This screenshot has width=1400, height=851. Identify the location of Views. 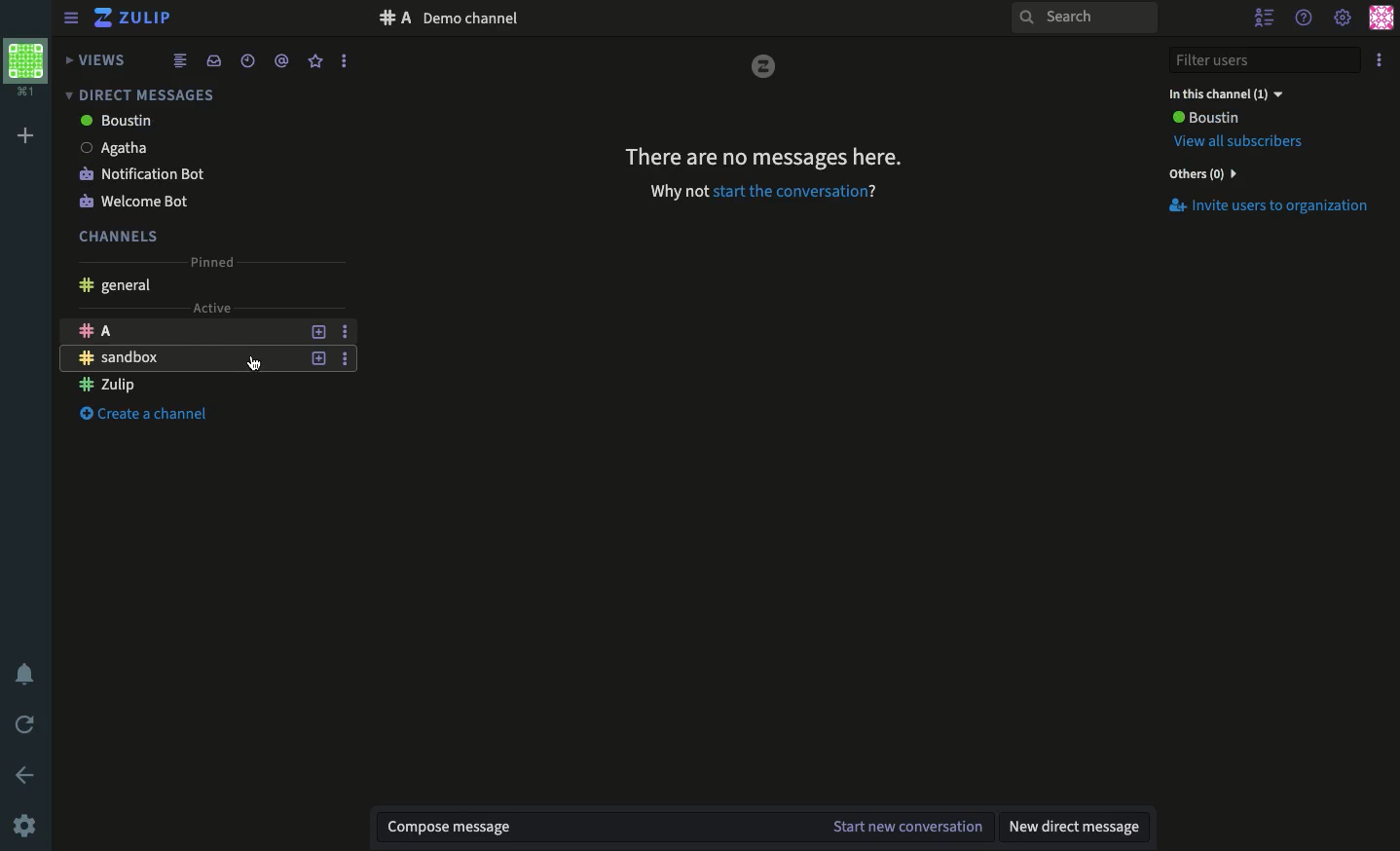
(98, 59).